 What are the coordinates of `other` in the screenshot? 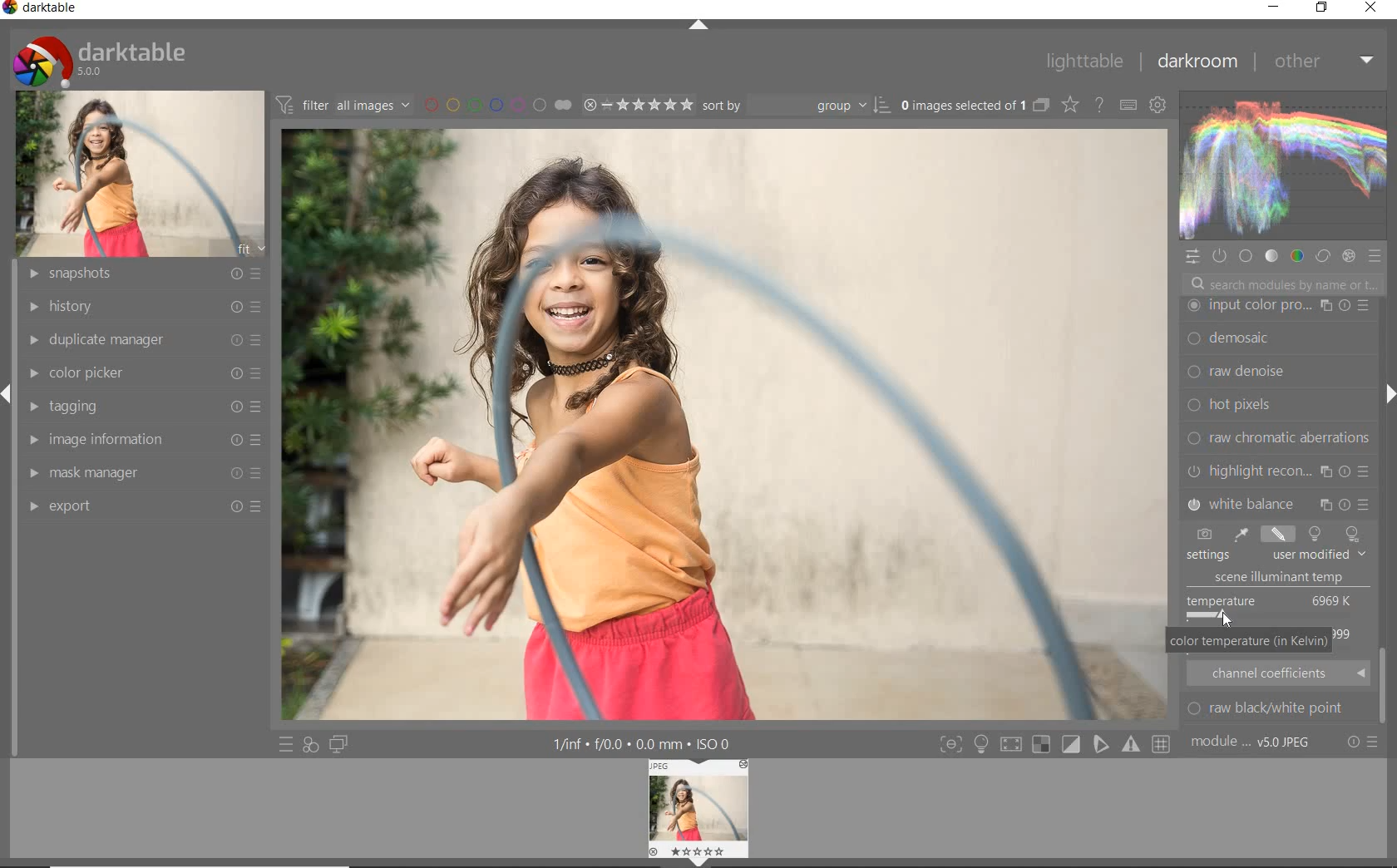 It's located at (1324, 61).